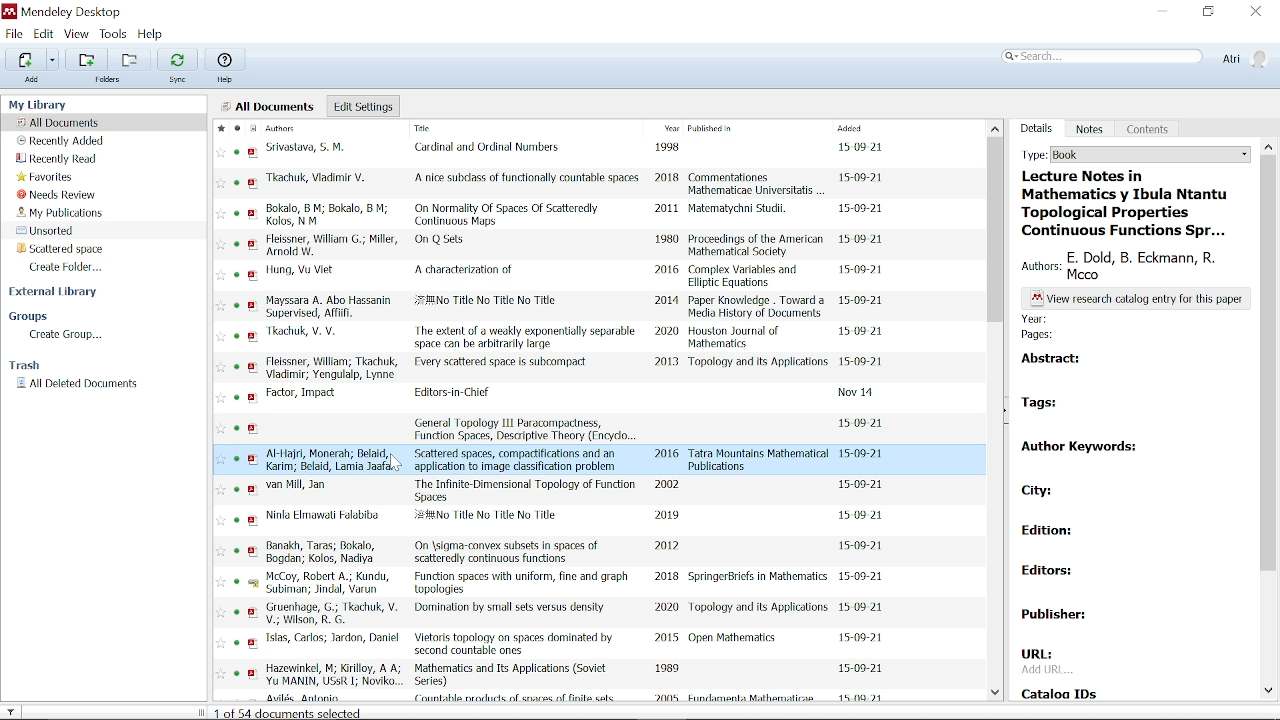  I want to click on Help, so click(225, 59).